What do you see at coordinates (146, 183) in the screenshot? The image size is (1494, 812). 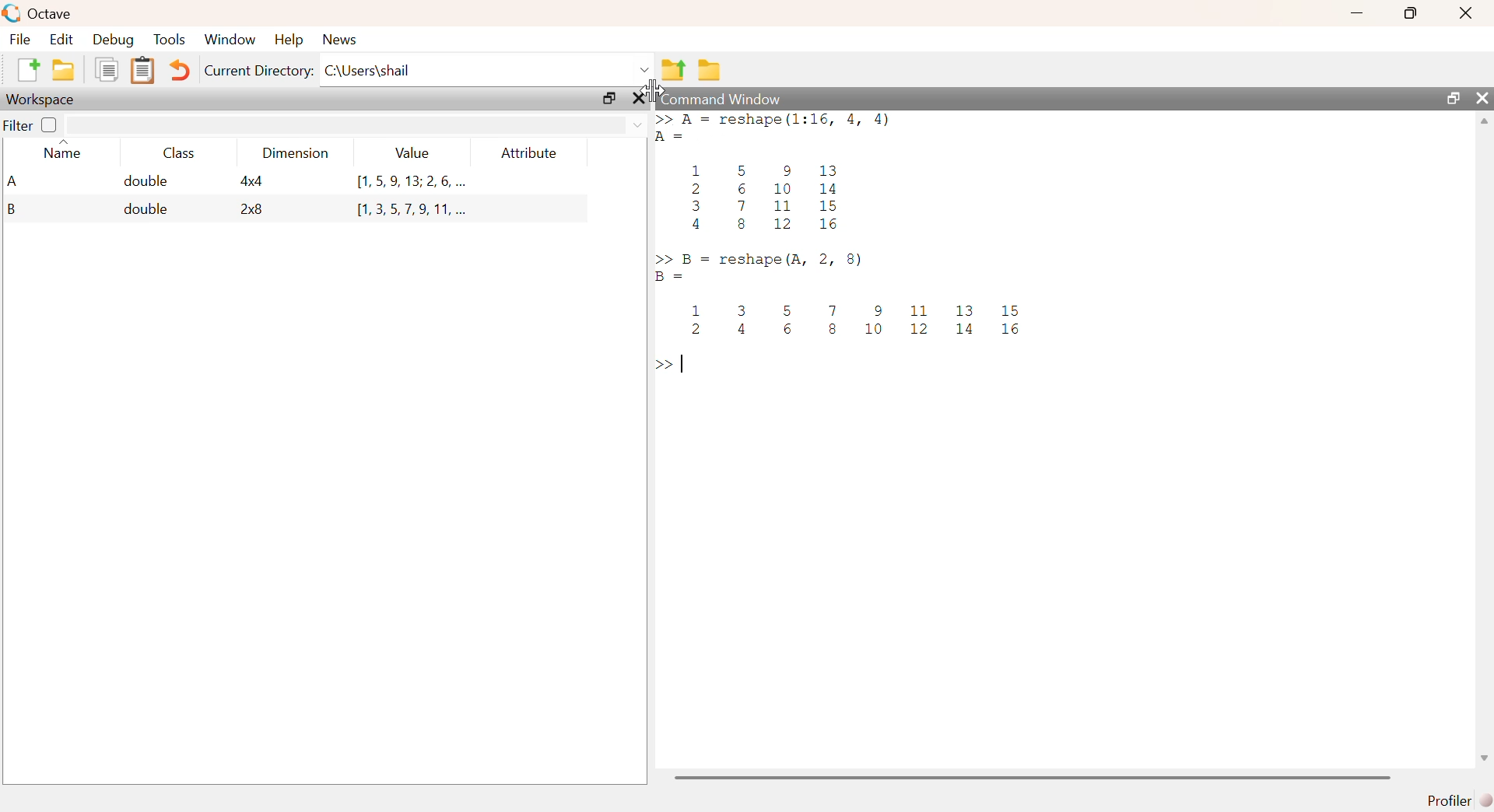 I see `double` at bounding box center [146, 183].